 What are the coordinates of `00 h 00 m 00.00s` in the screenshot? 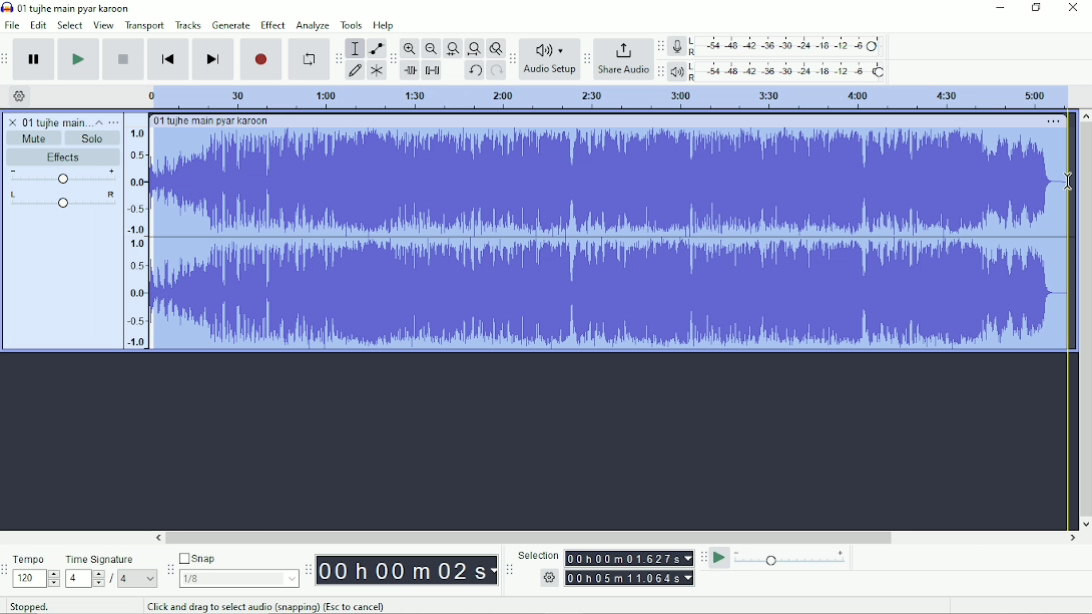 It's located at (630, 578).